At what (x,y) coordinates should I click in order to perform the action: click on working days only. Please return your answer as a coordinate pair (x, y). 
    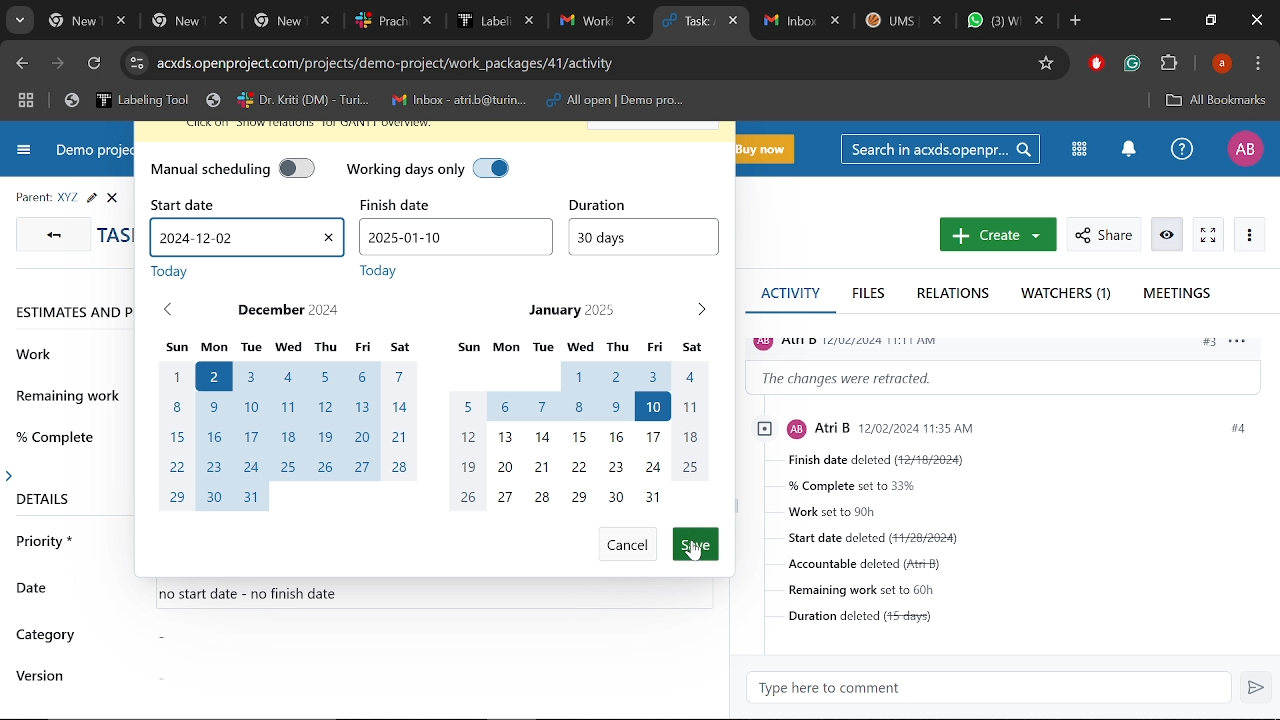
    Looking at the image, I should click on (491, 167).